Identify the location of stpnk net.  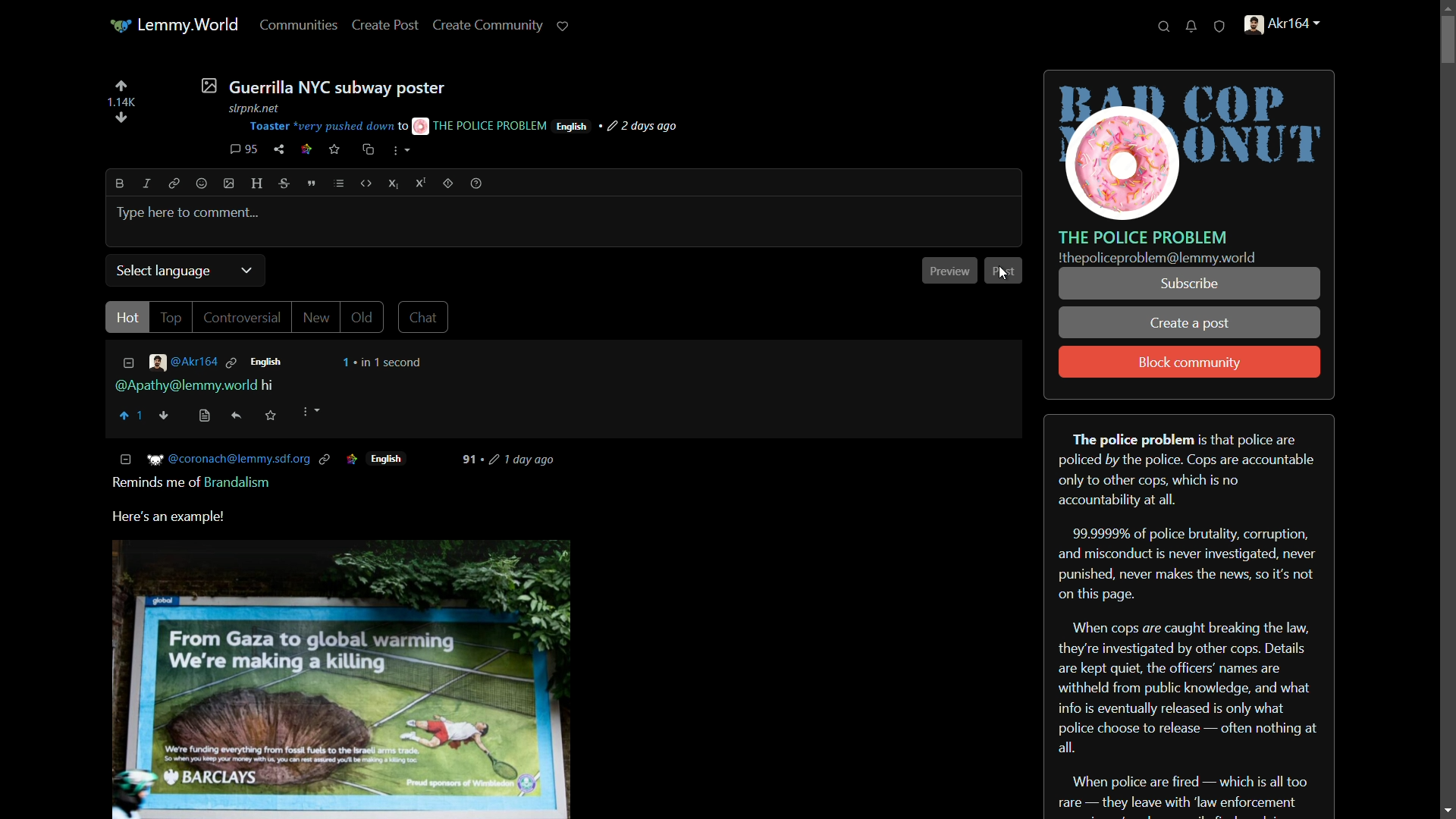
(250, 106).